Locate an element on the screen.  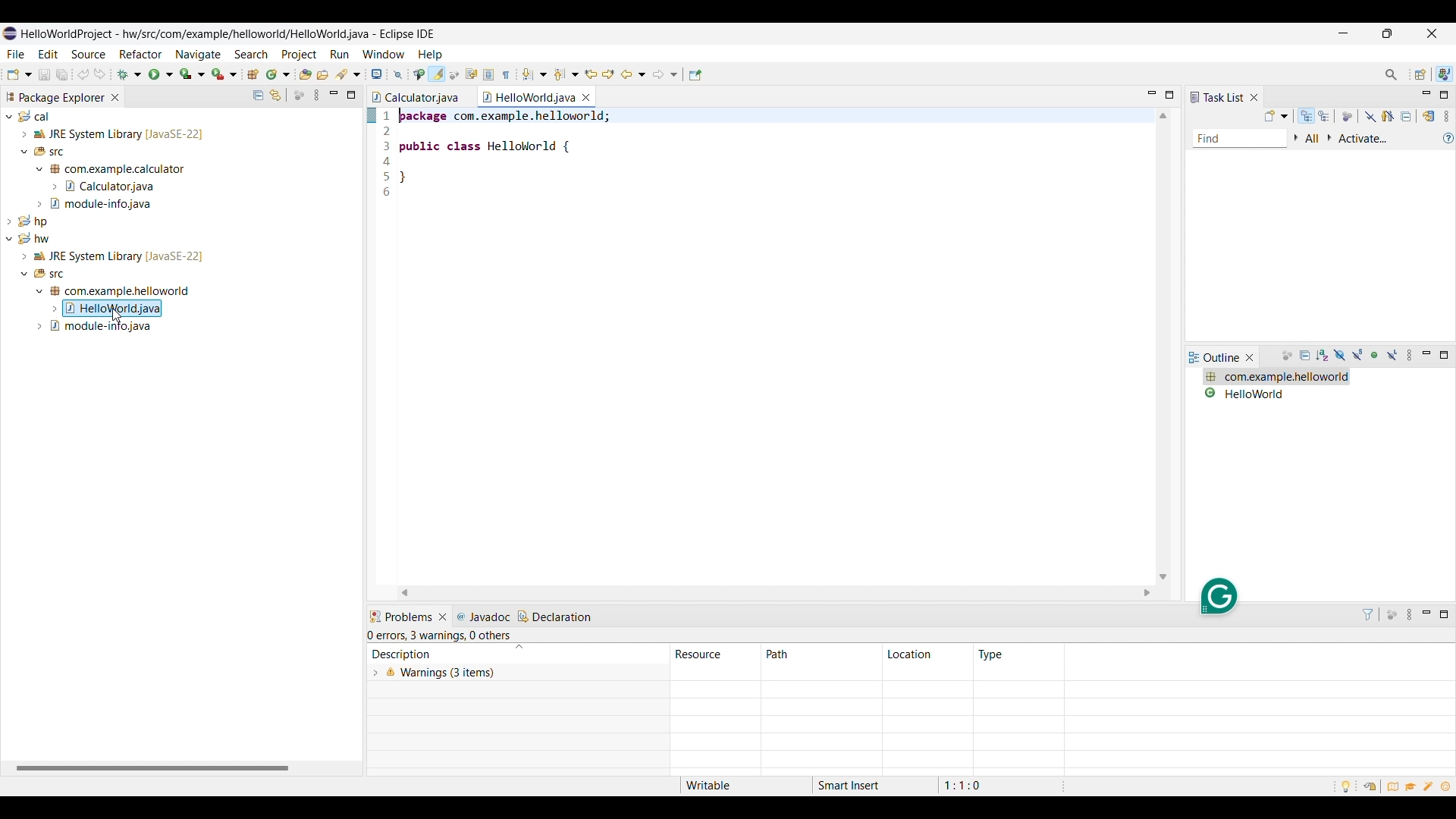
Focus on active task is located at coordinates (1287, 356).